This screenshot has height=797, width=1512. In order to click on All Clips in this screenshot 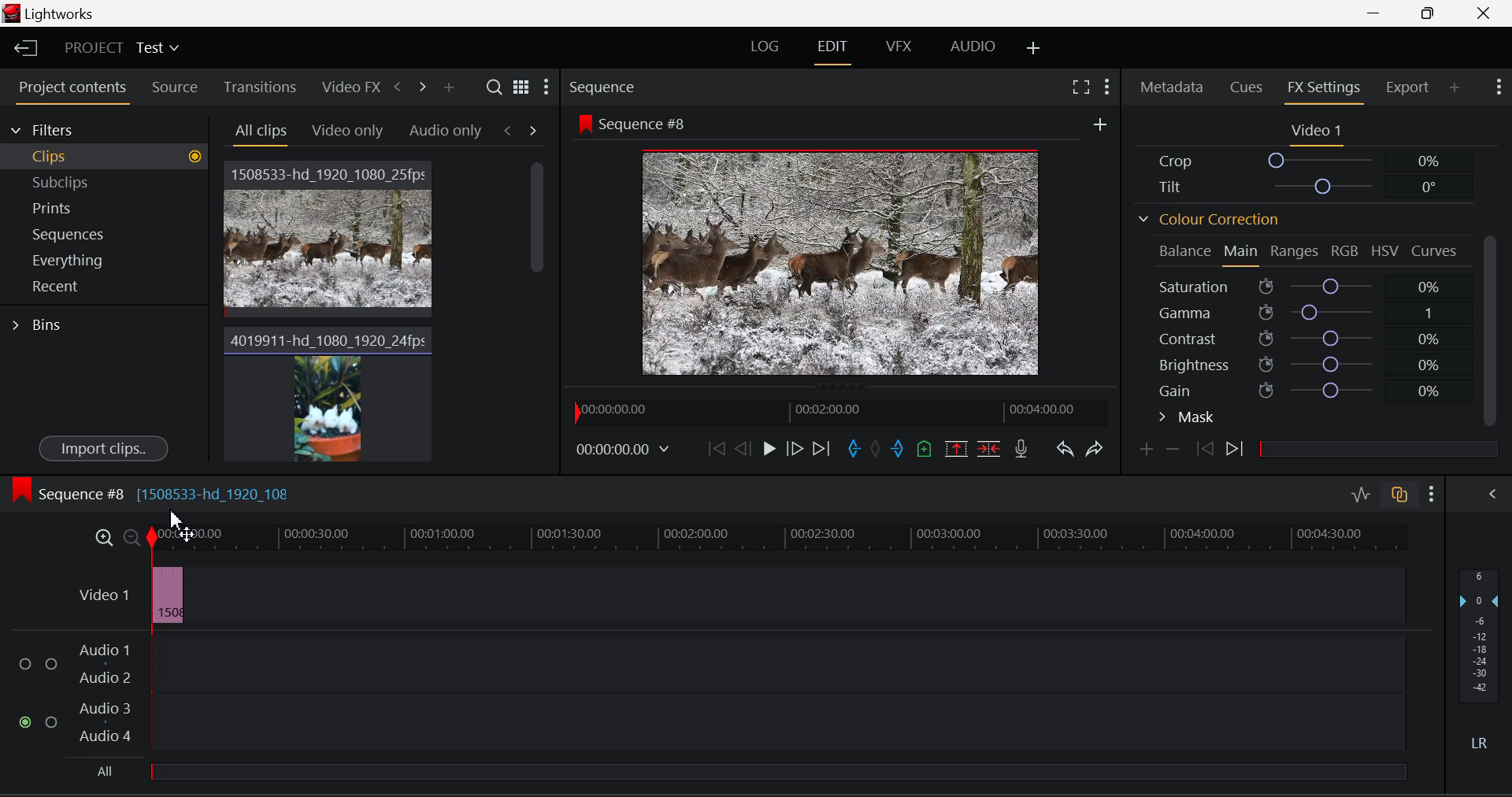, I will do `click(260, 130)`.